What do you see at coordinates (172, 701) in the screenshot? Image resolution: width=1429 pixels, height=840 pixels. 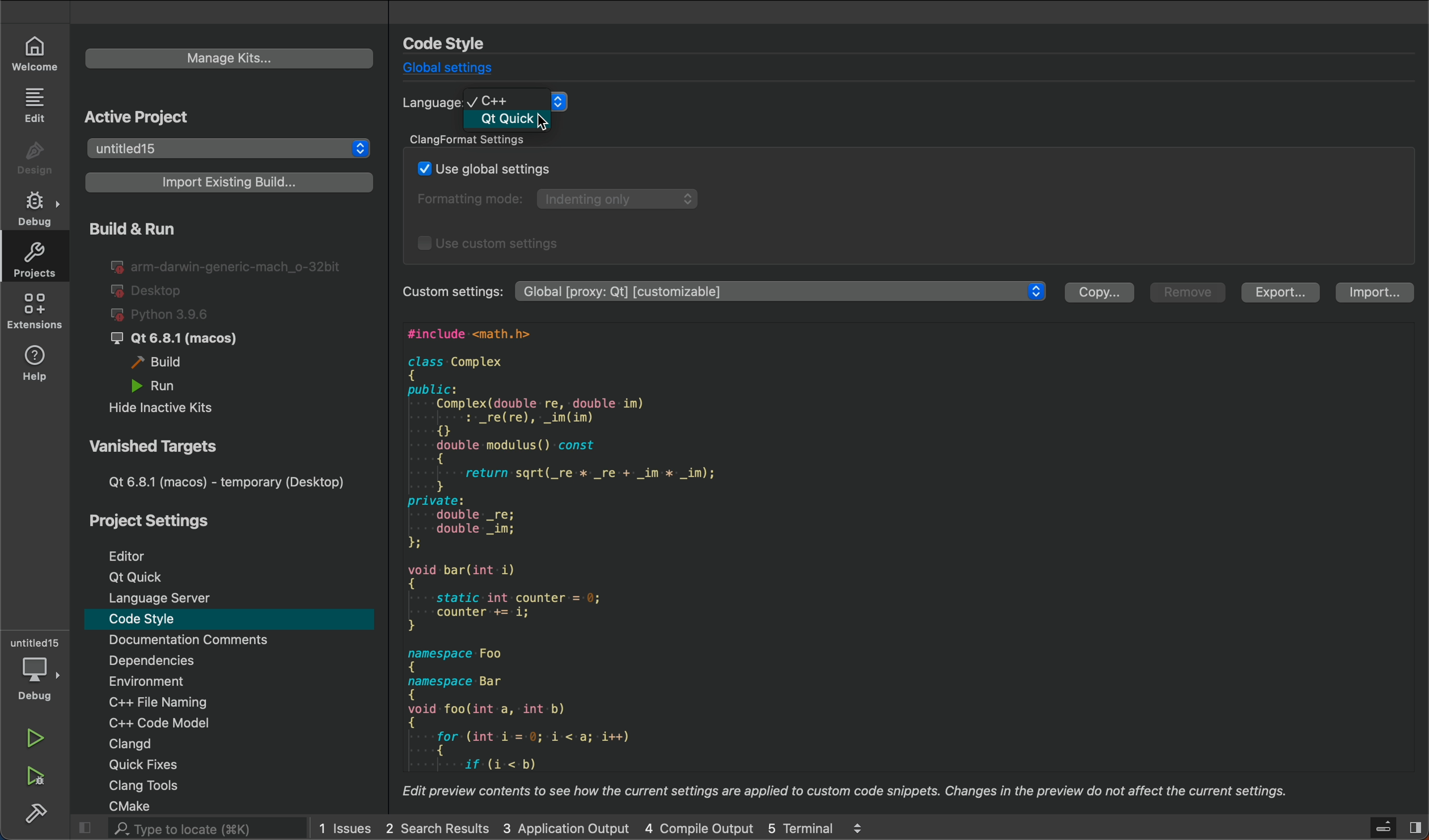 I see `file naming` at bounding box center [172, 701].